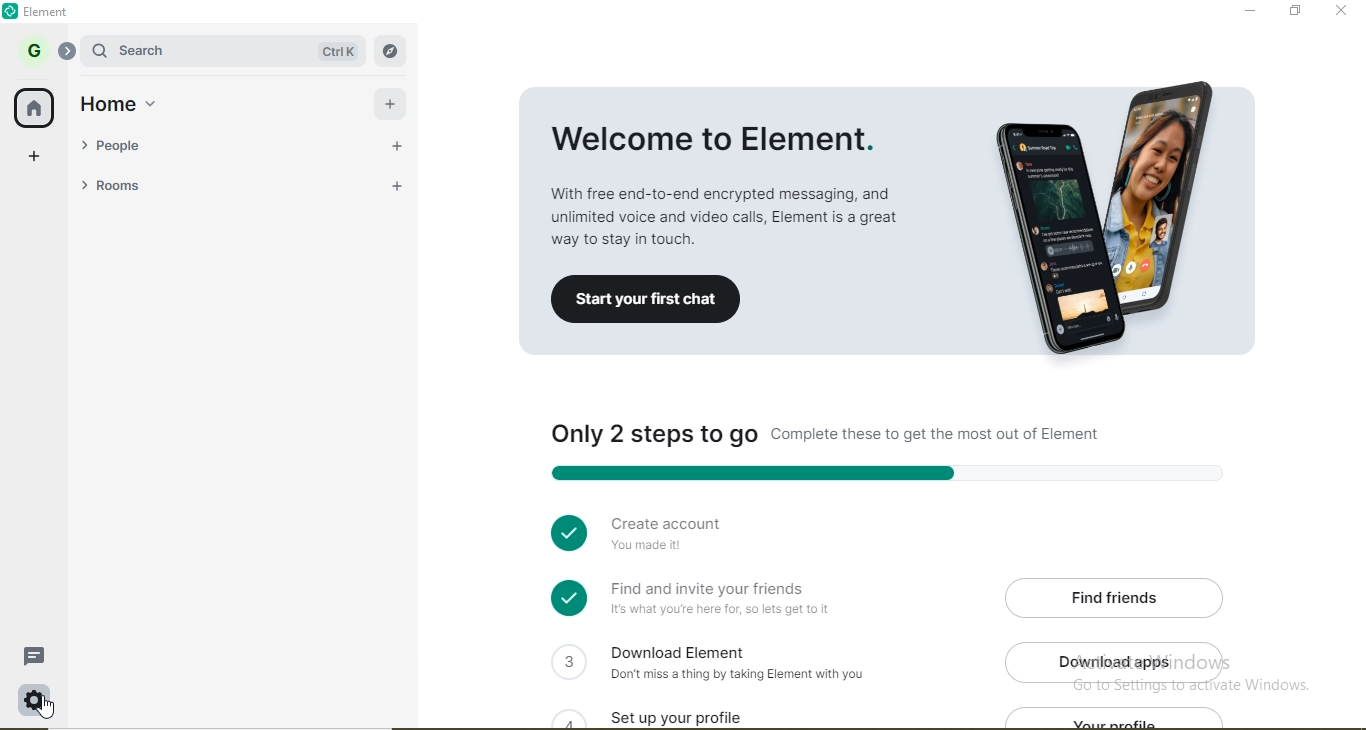 Image resolution: width=1366 pixels, height=730 pixels. Describe the element at coordinates (1119, 596) in the screenshot. I see `find friends` at that location.